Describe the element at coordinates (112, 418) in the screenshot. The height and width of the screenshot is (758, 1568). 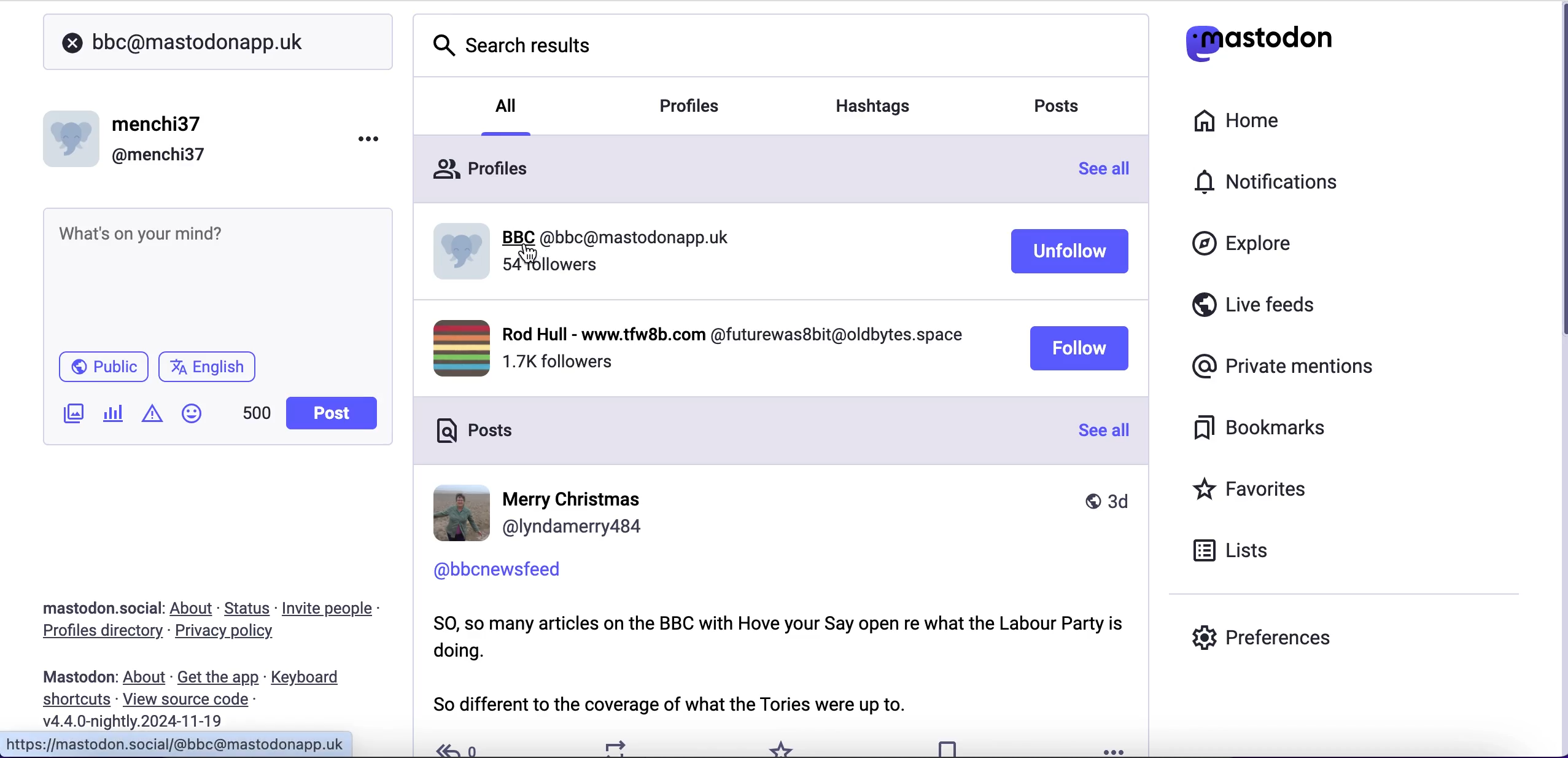
I see `add a poll` at that location.